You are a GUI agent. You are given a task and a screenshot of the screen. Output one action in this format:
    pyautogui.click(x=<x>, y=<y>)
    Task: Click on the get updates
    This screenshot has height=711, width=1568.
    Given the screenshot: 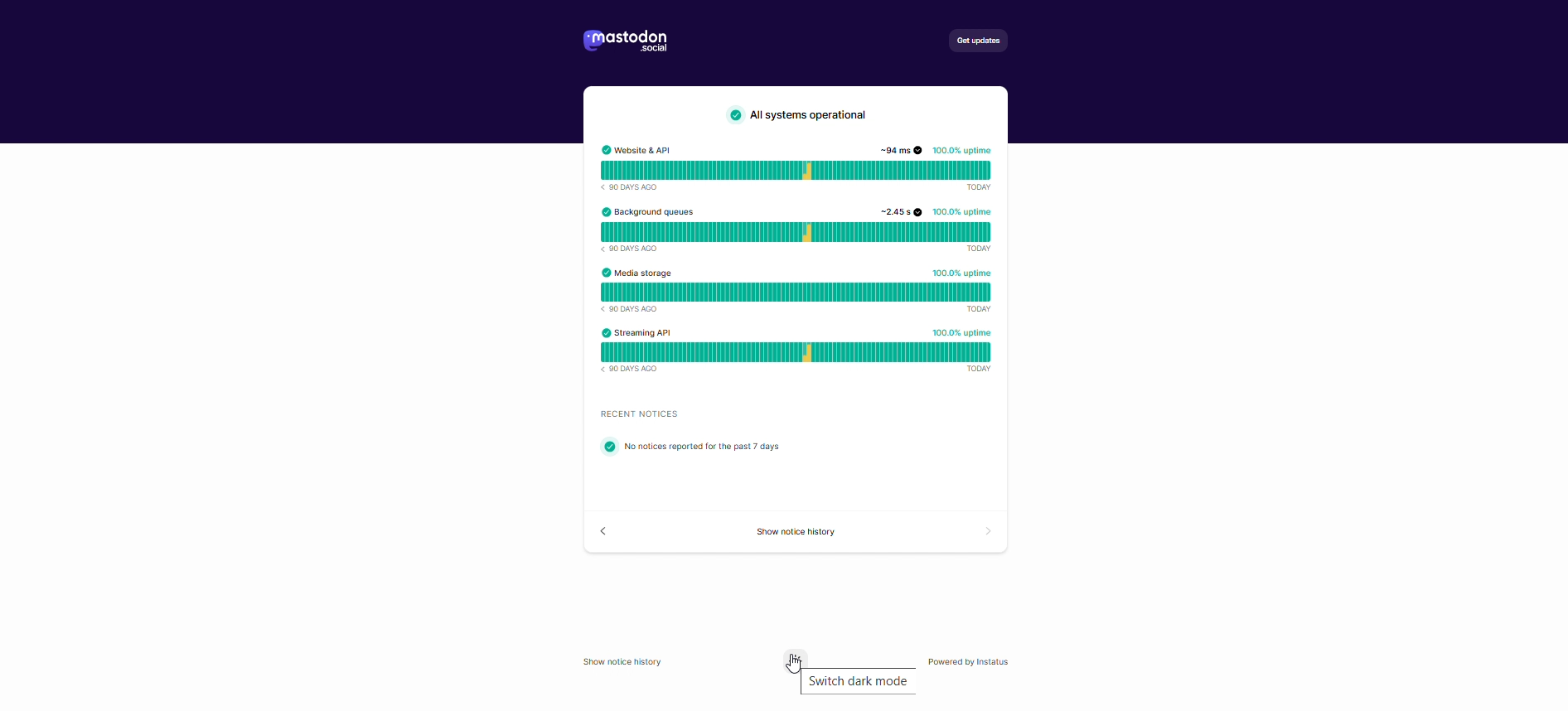 What is the action you would take?
    pyautogui.click(x=985, y=41)
    